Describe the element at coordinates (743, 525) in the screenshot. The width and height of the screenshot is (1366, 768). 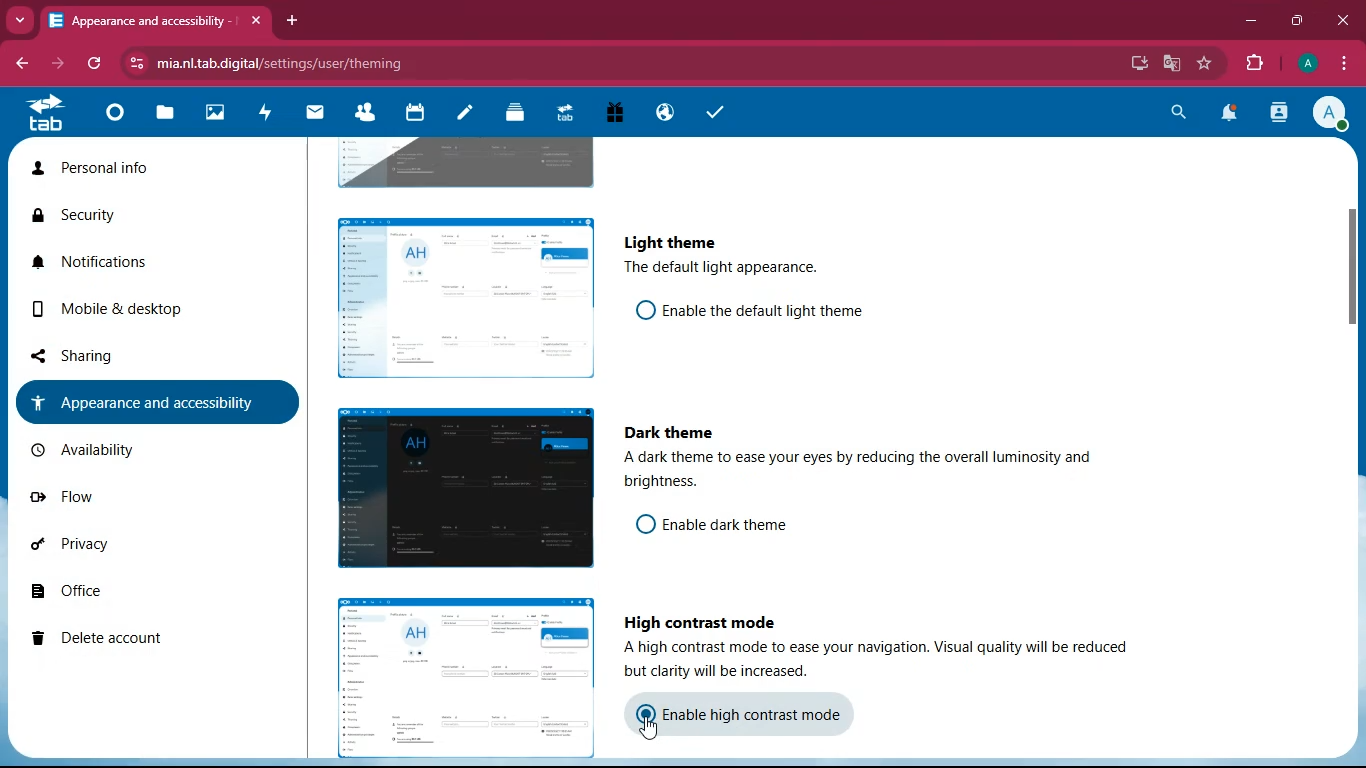
I see `enable` at that location.